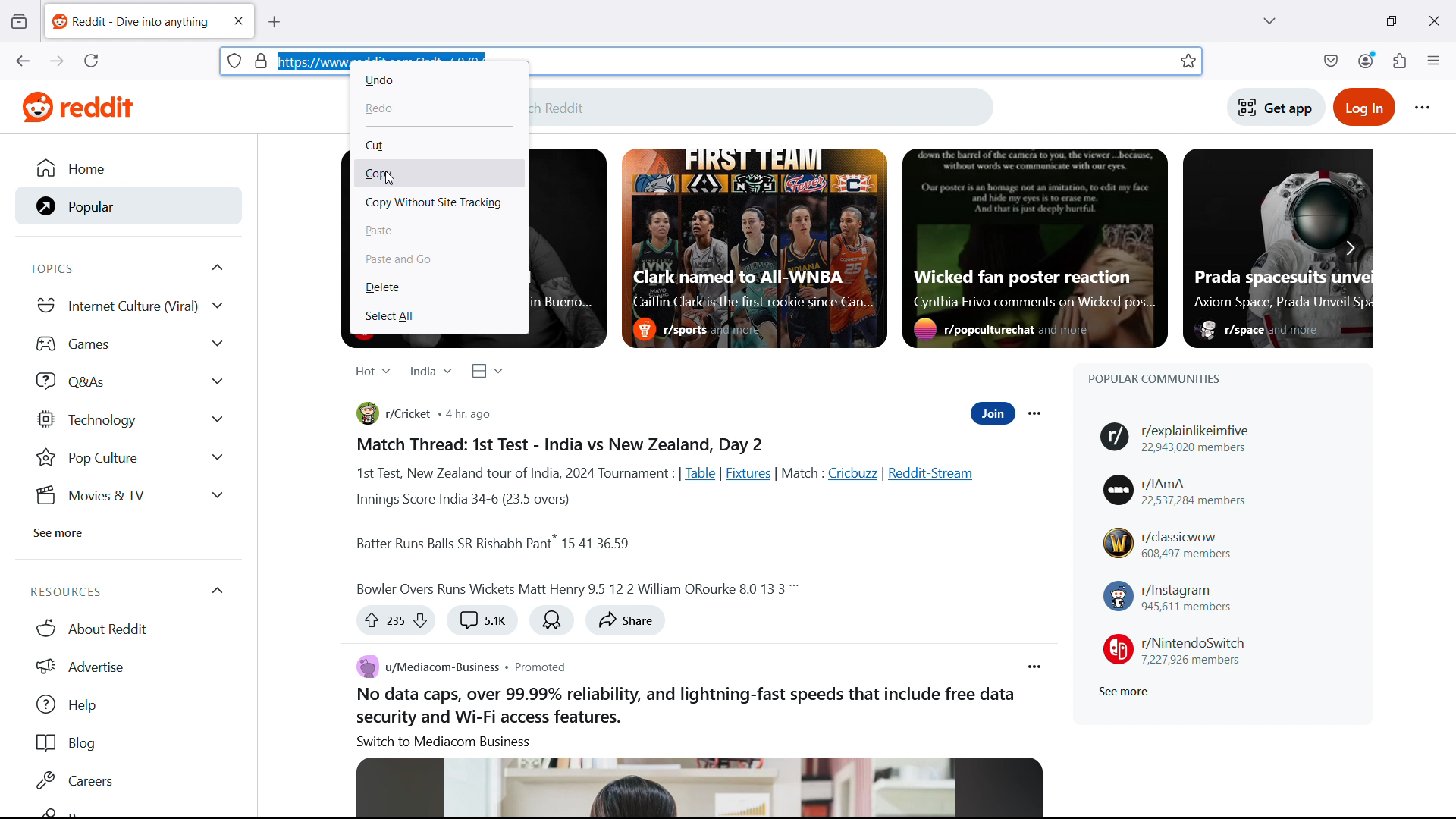  I want to click on help, so click(127, 705).